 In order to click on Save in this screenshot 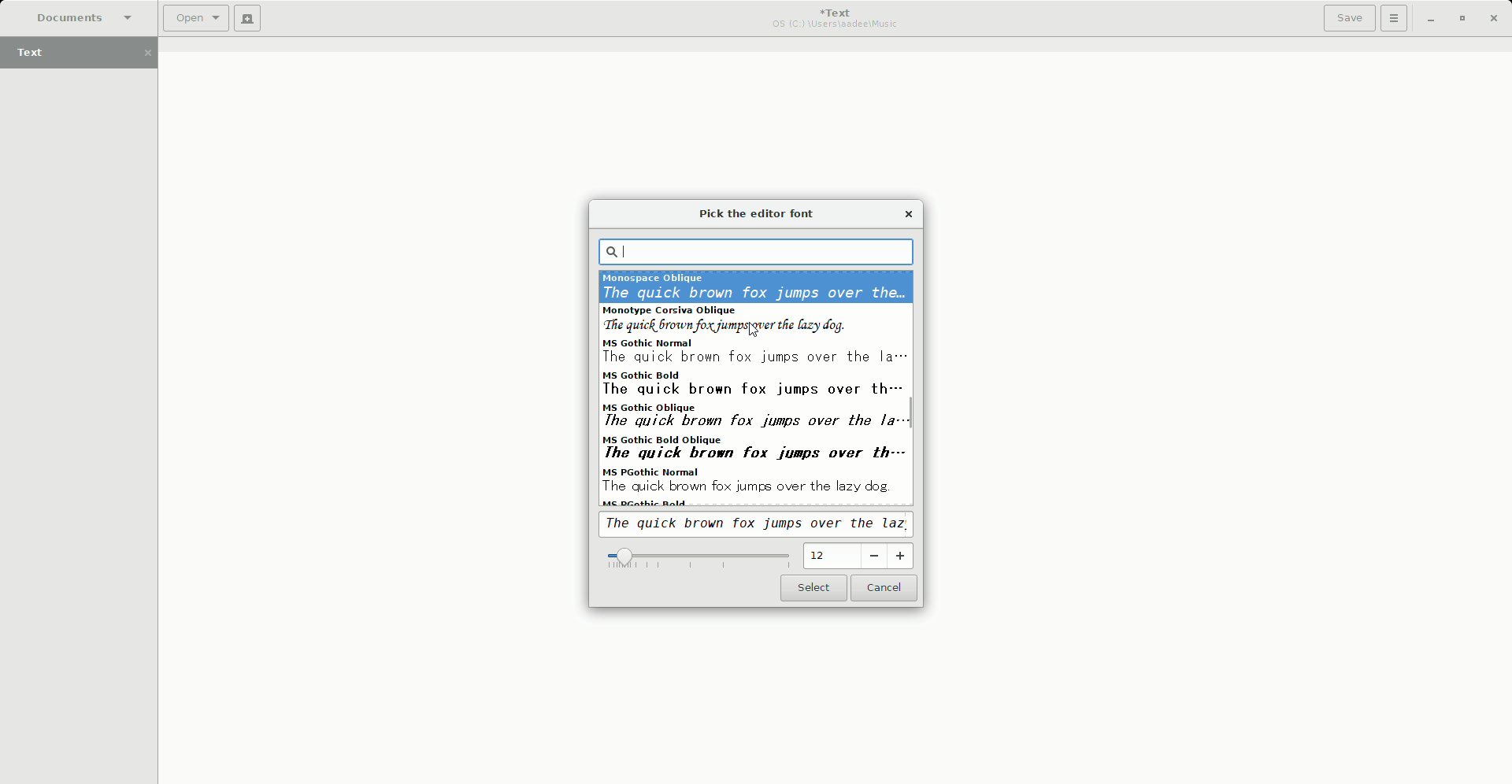, I will do `click(1349, 18)`.